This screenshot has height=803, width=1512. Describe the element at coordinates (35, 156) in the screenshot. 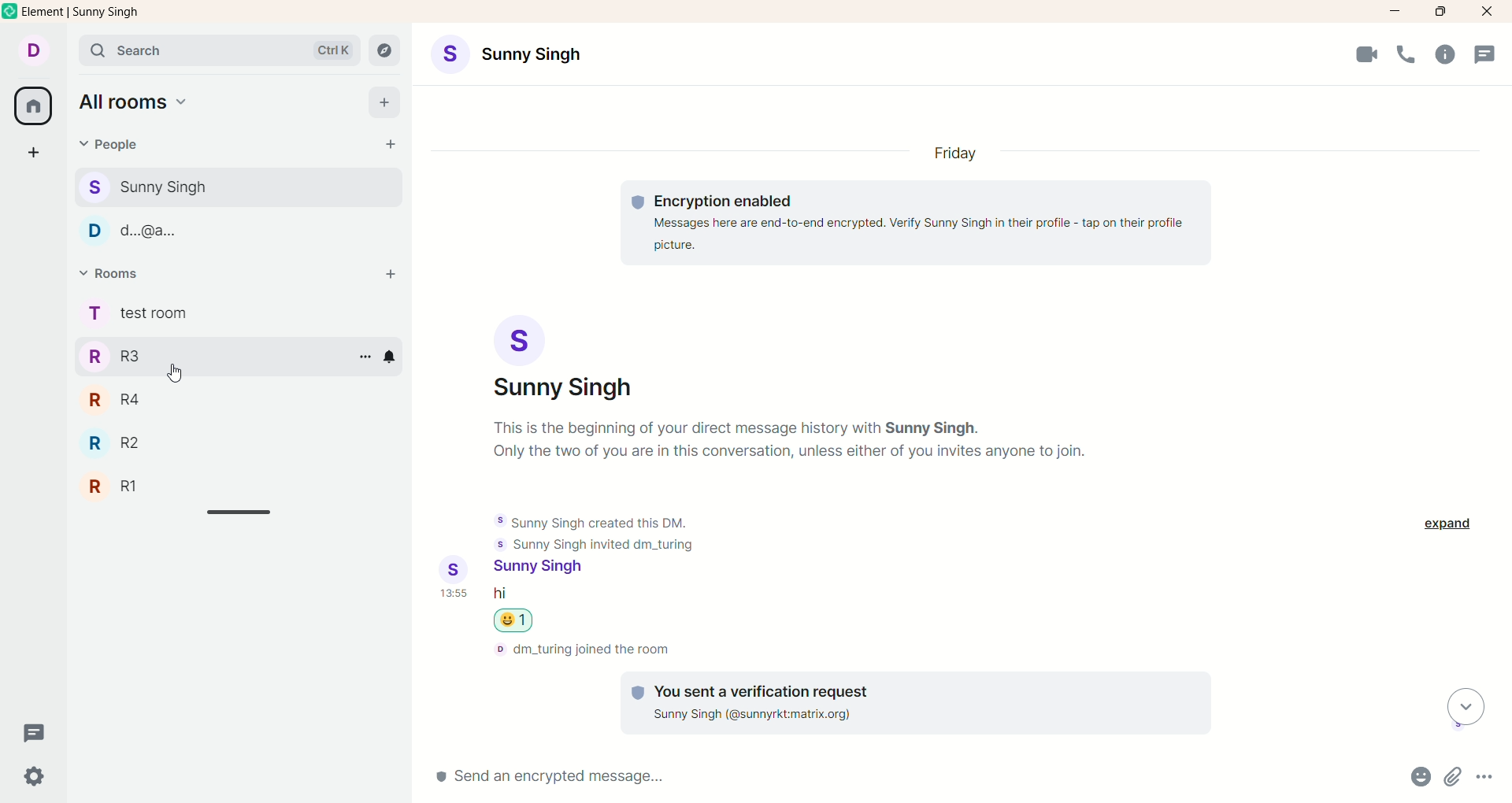

I see `create a space` at that location.